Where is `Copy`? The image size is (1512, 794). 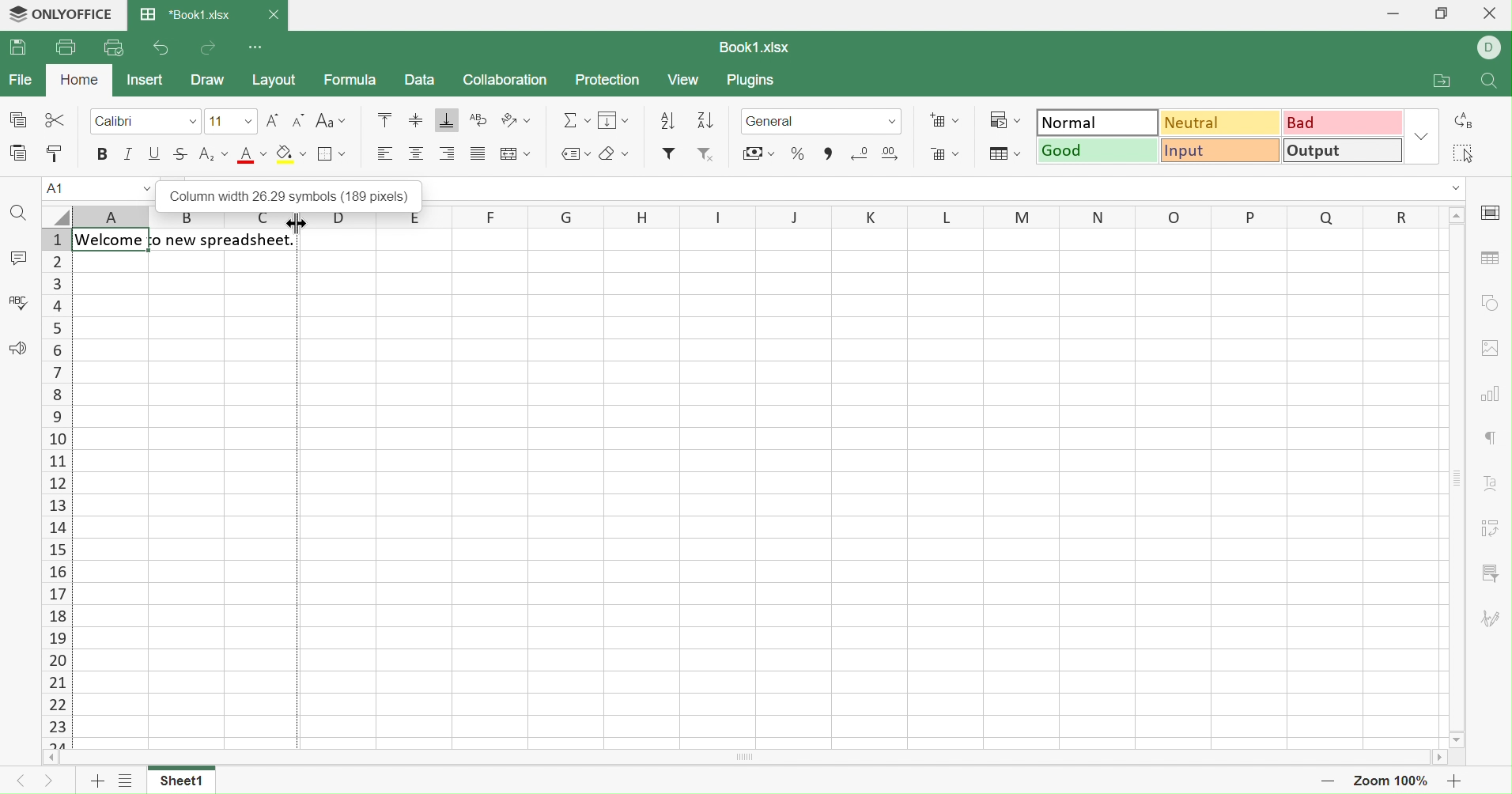
Copy is located at coordinates (16, 118).